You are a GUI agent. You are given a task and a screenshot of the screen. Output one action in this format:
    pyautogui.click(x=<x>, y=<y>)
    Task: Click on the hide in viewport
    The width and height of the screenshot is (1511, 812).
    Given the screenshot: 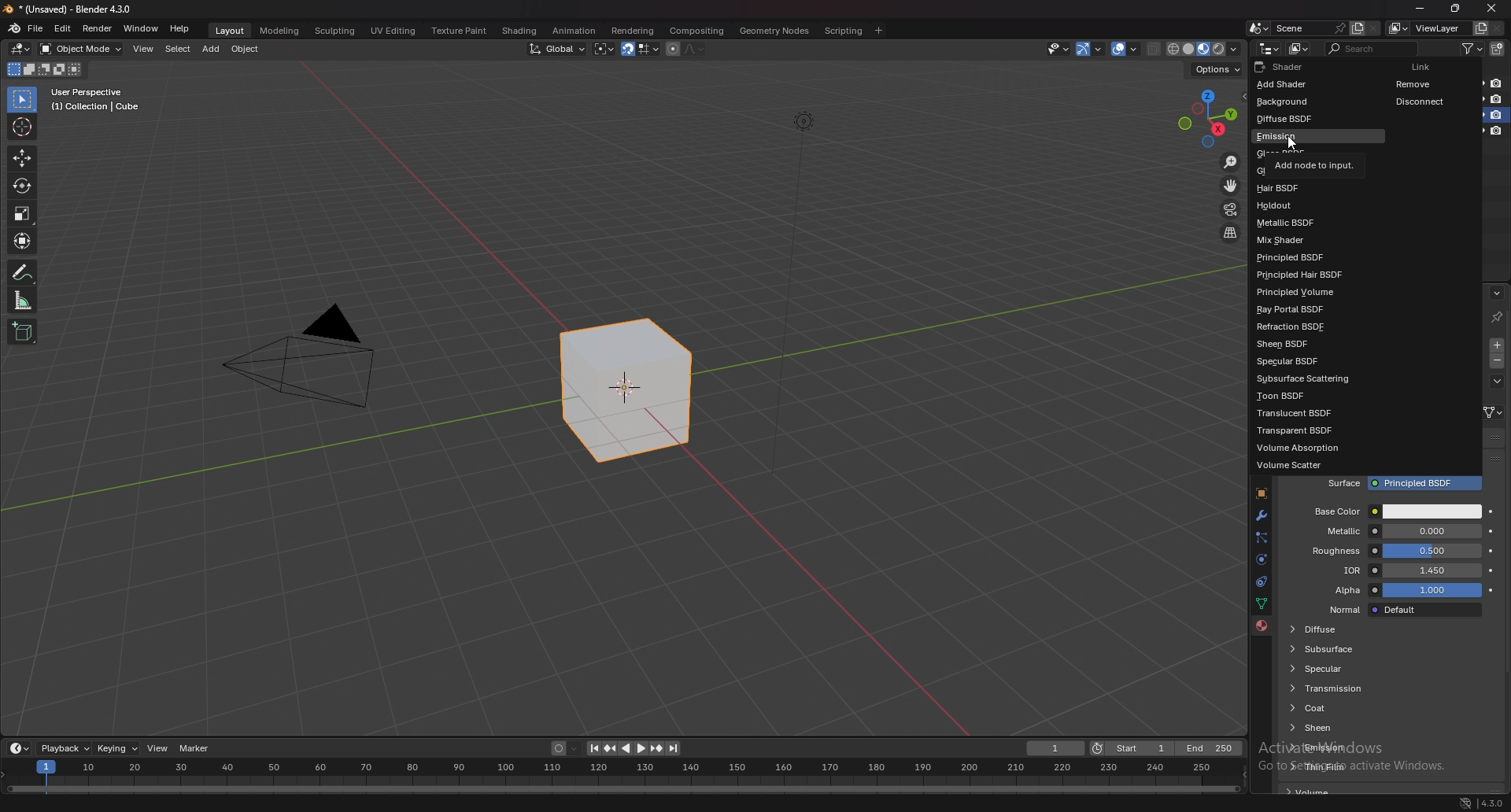 What is the action you would take?
    pyautogui.click(x=1480, y=82)
    